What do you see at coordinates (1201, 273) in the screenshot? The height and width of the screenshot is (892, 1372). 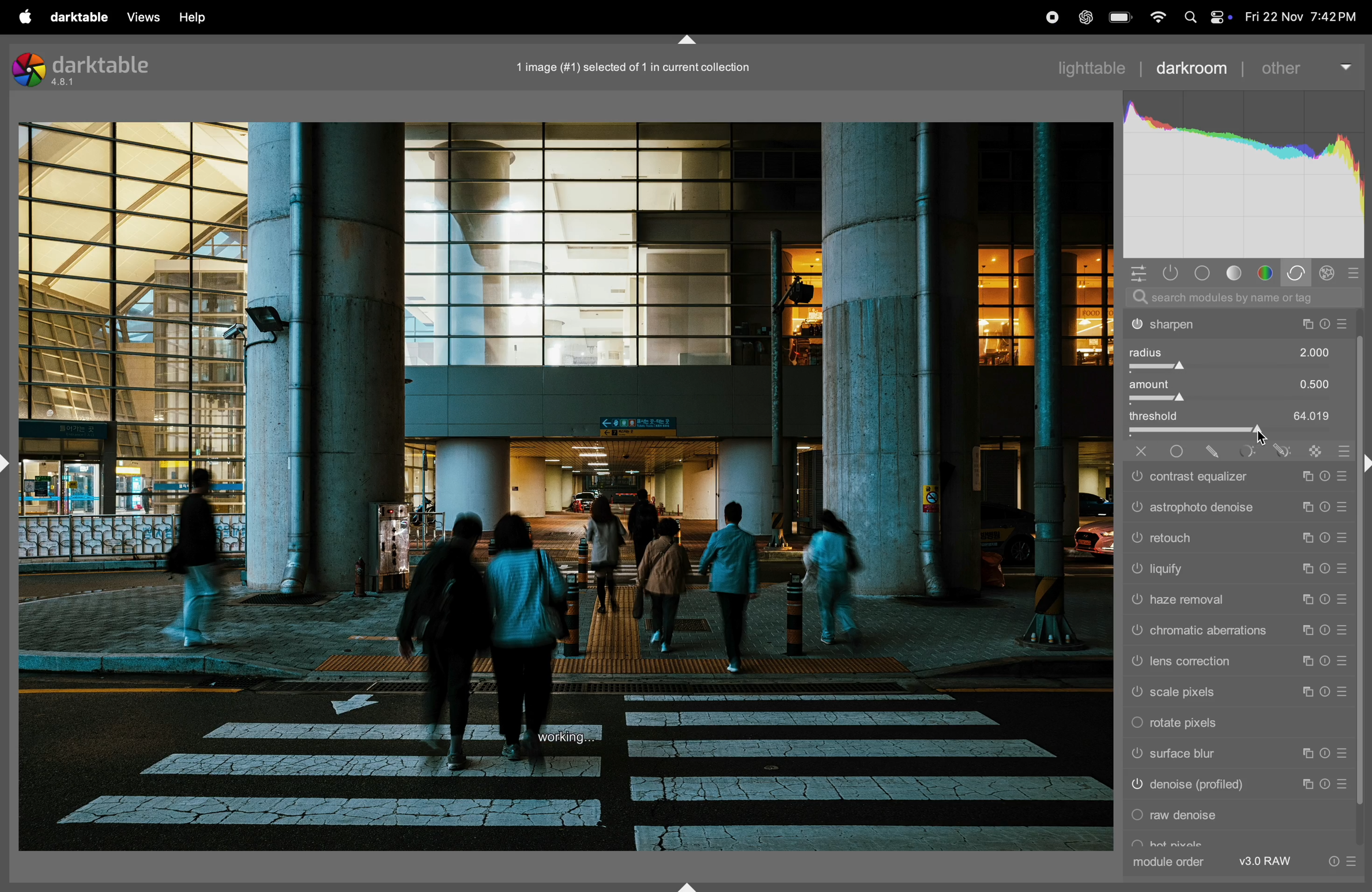 I see `base` at bounding box center [1201, 273].